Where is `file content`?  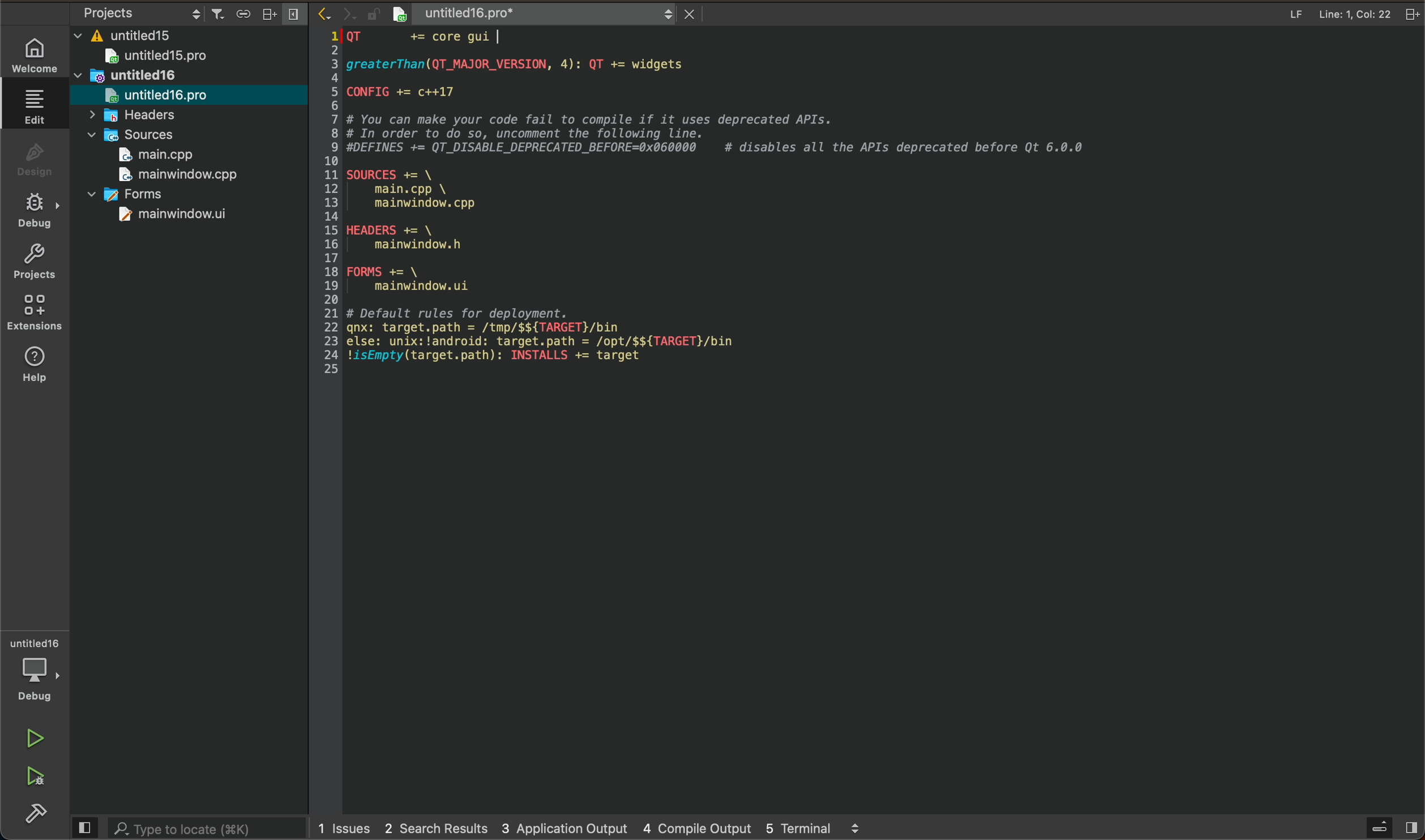
file content is located at coordinates (763, 206).